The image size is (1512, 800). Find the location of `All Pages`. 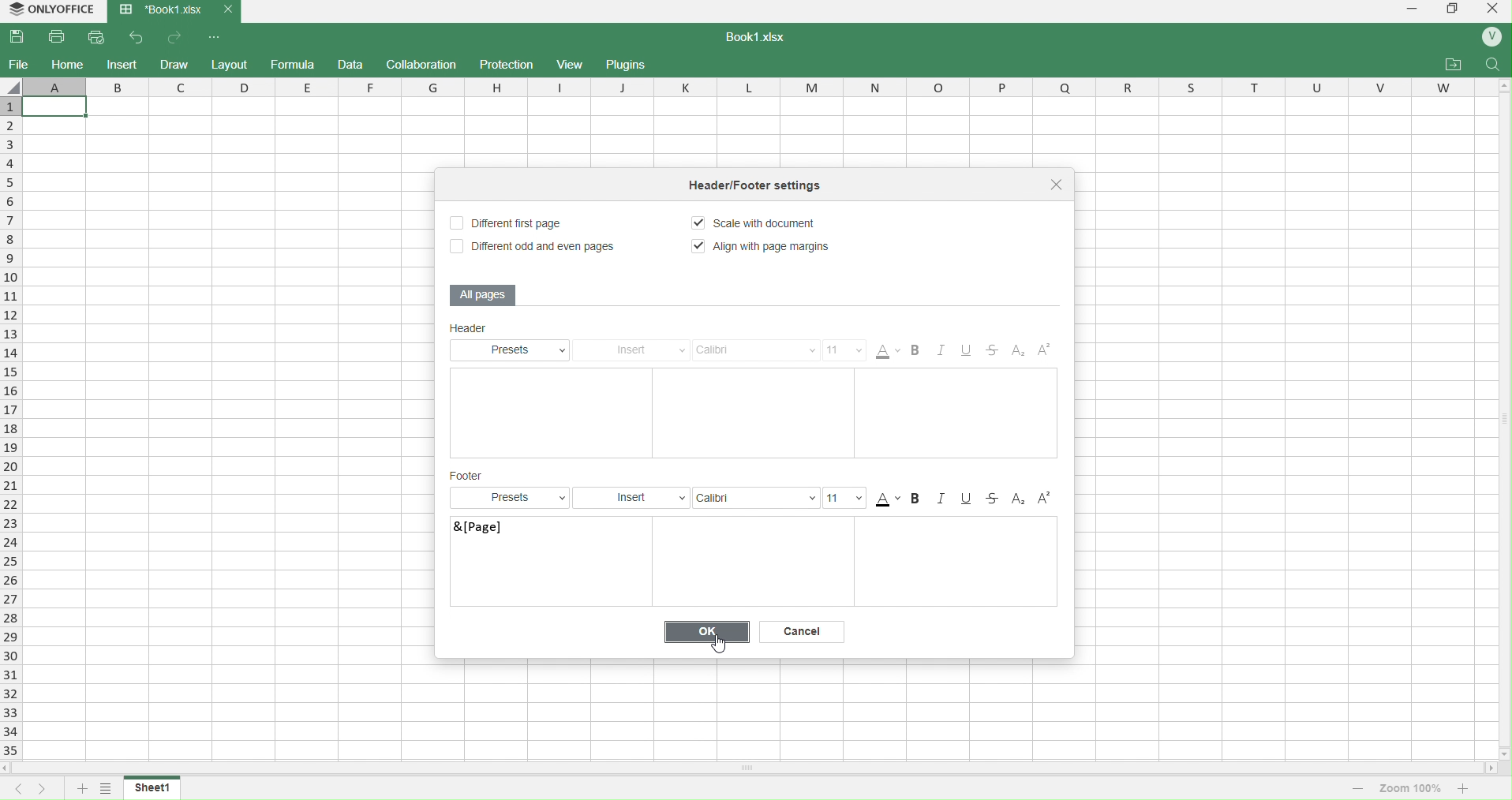

All Pages is located at coordinates (485, 294).